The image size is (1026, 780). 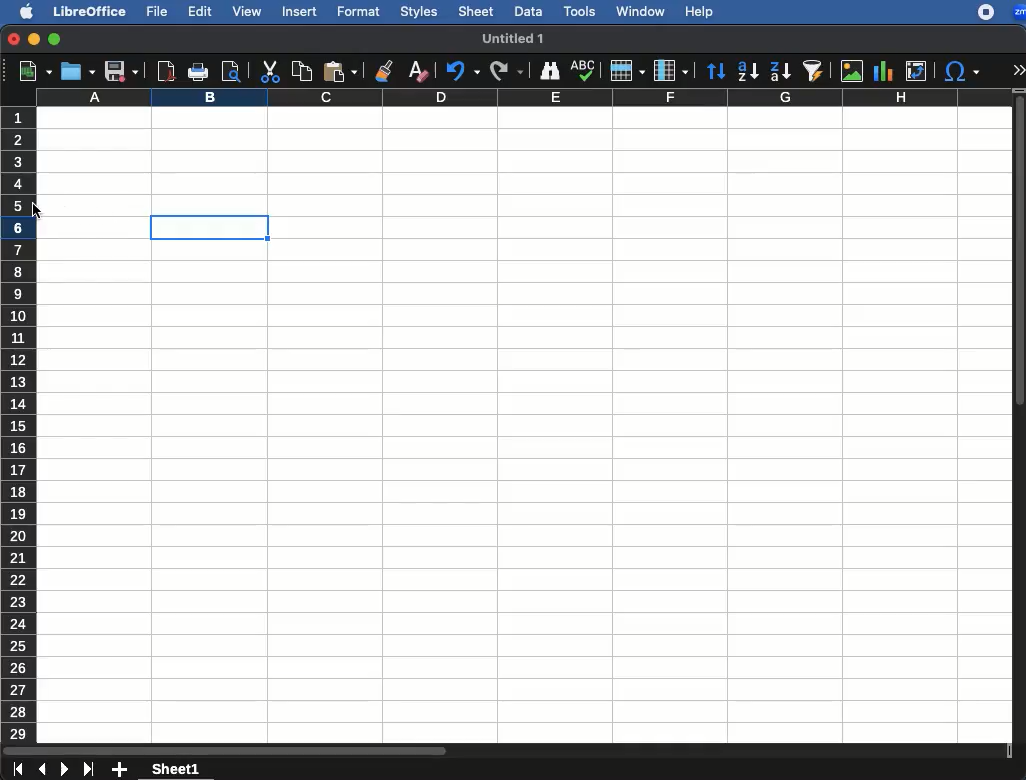 I want to click on column, so click(x=519, y=98).